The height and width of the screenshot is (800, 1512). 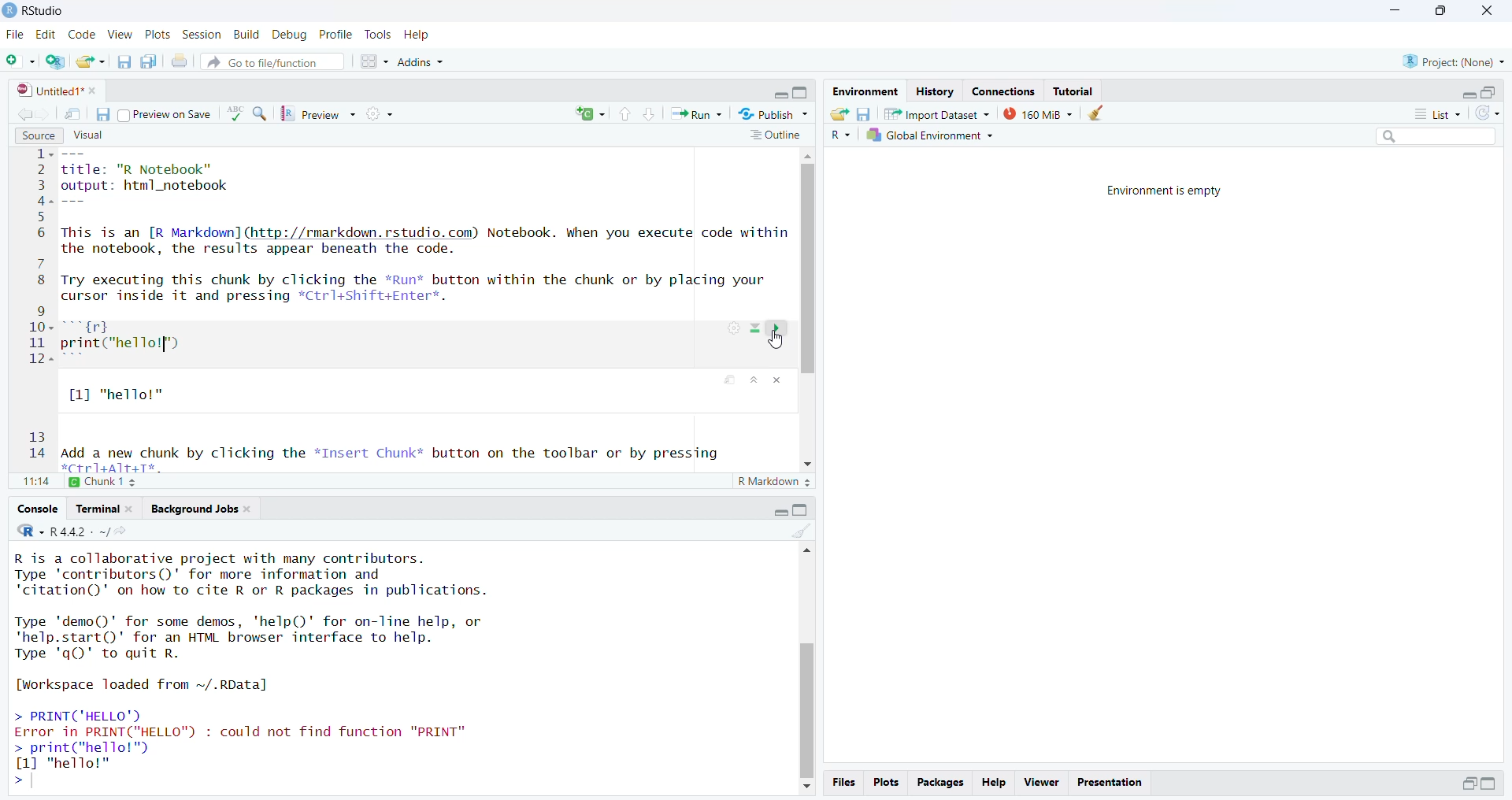 I want to click on expand, so click(x=1469, y=783).